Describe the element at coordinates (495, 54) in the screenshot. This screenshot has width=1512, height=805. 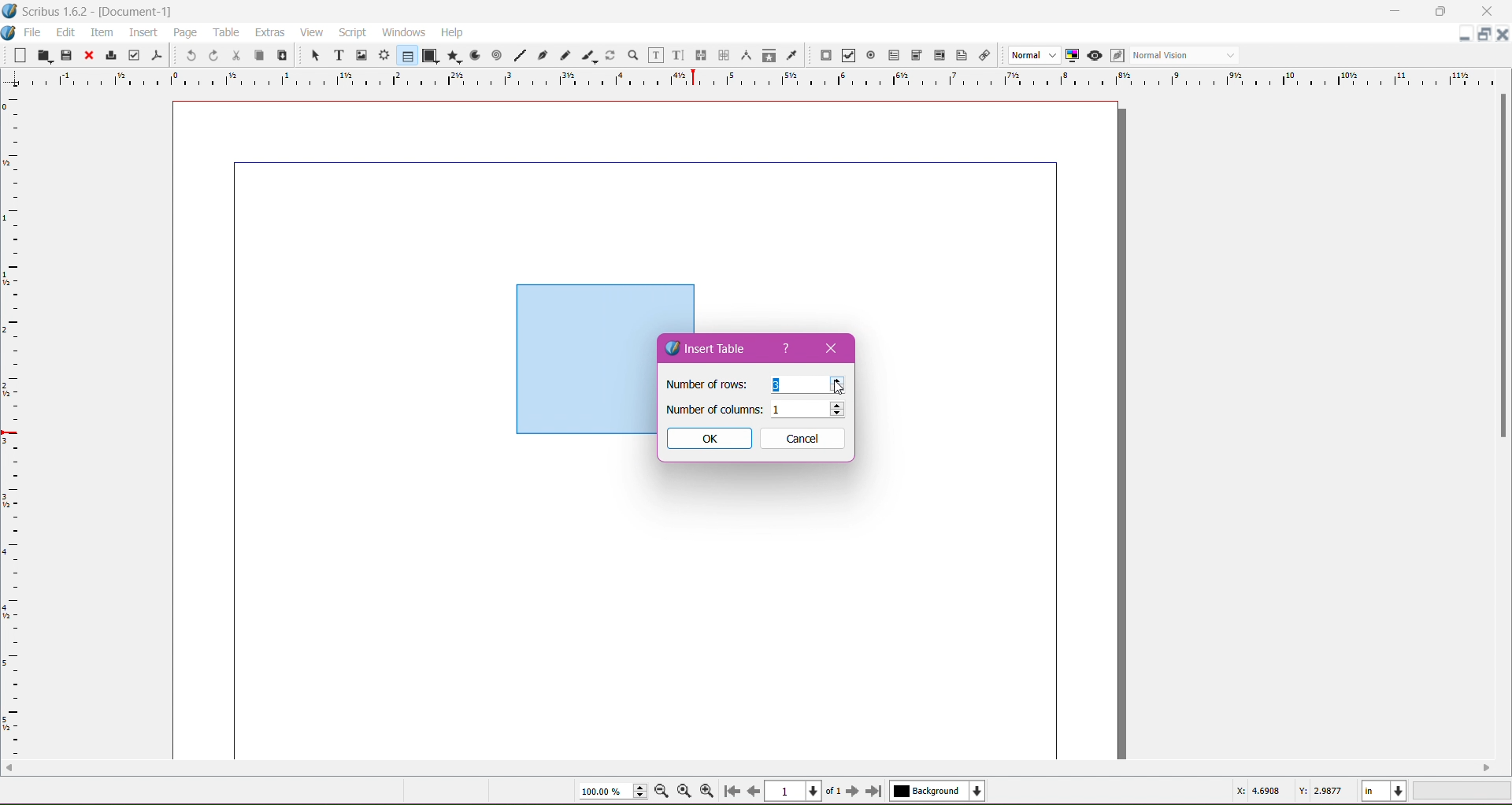
I see `Spiral` at that location.